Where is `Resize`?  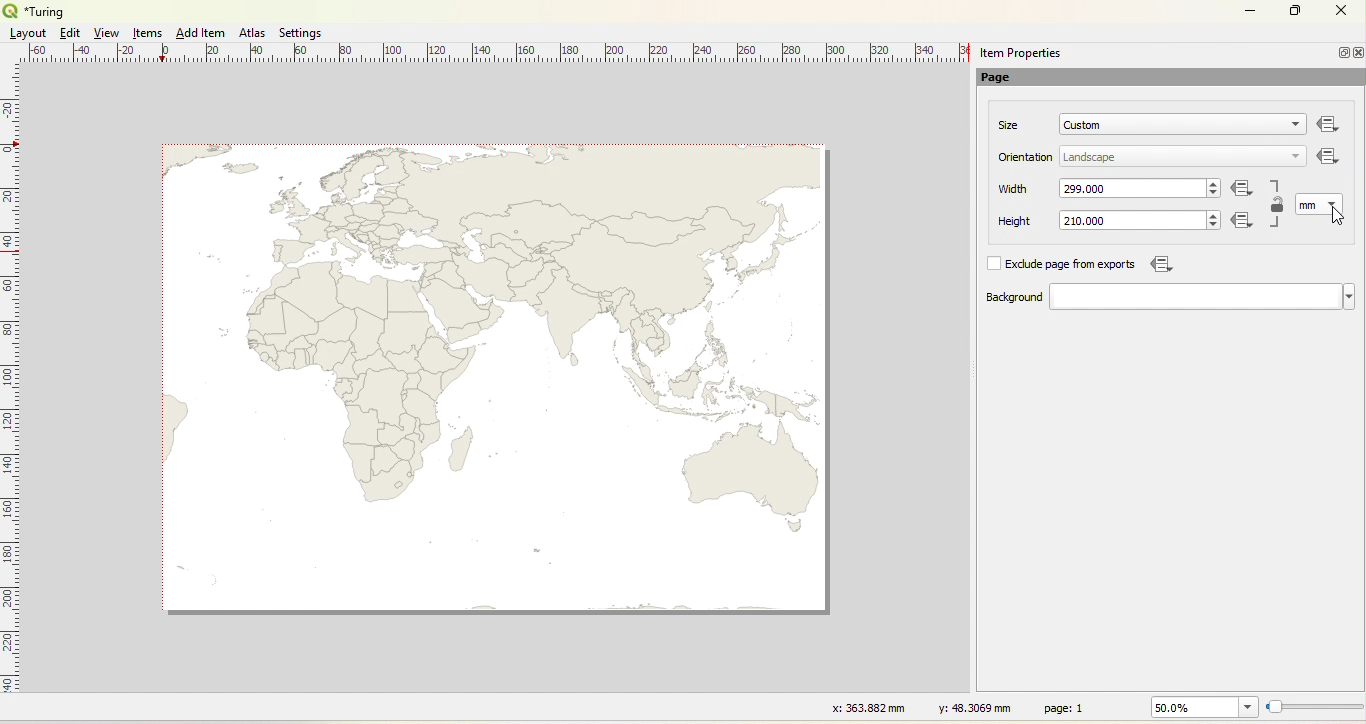 Resize is located at coordinates (1315, 708).